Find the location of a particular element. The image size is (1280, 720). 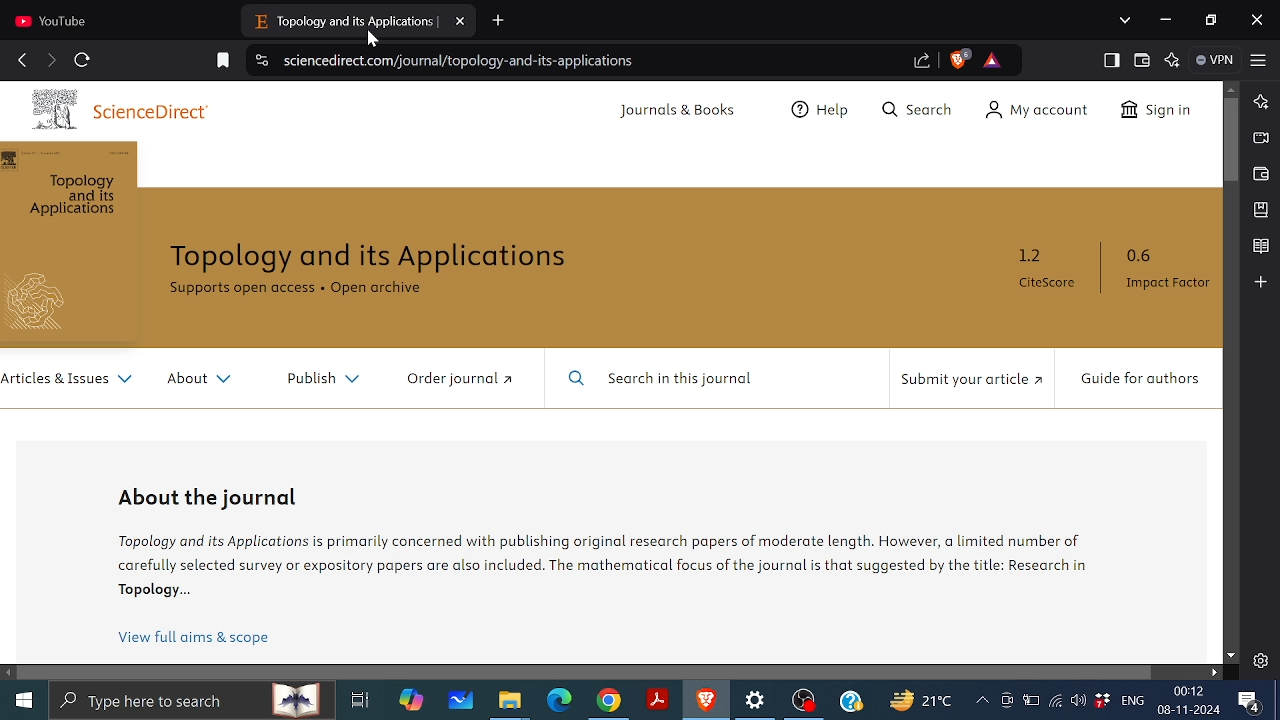

 wallet is located at coordinates (1143, 61).